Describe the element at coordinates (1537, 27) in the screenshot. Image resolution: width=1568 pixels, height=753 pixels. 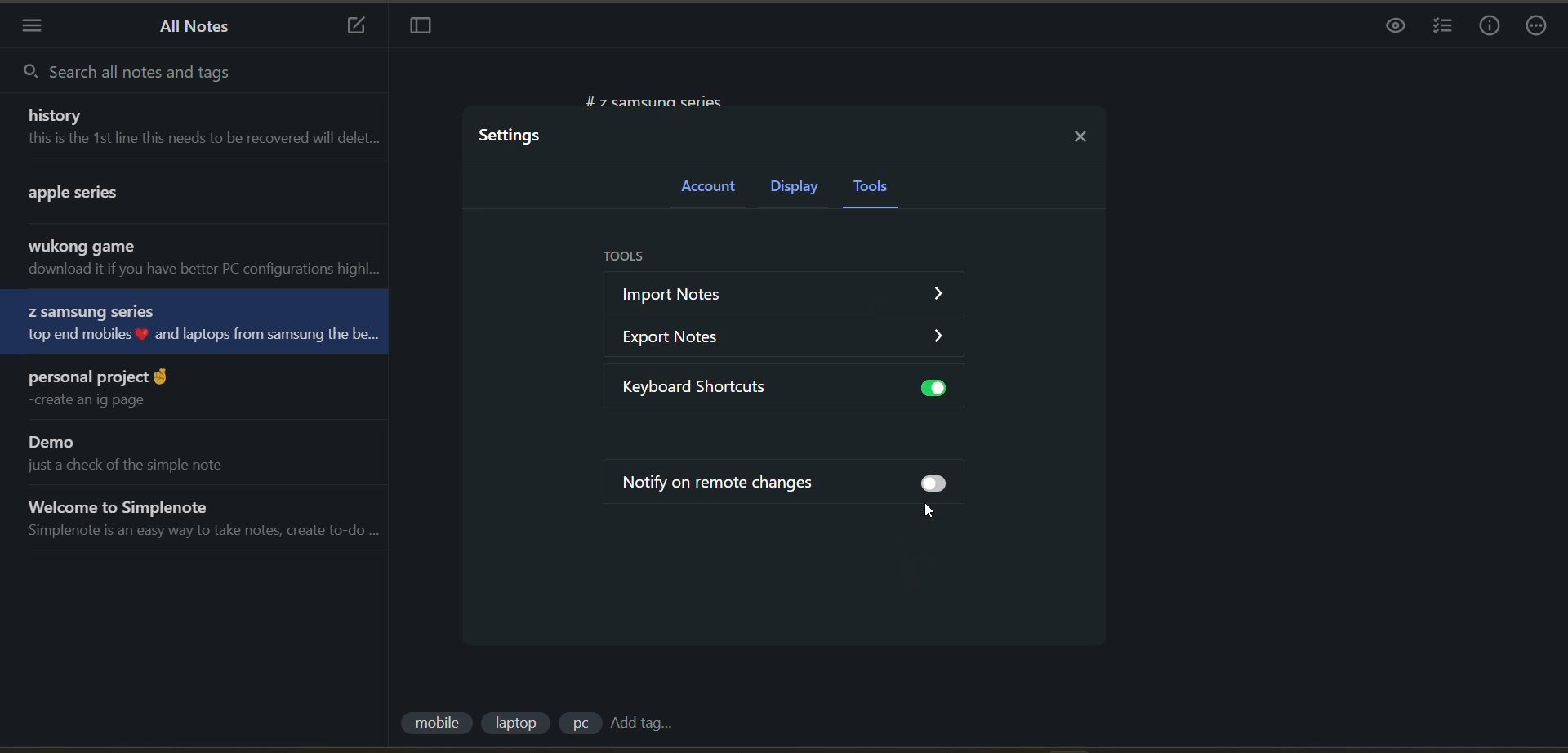
I see `actions` at that location.